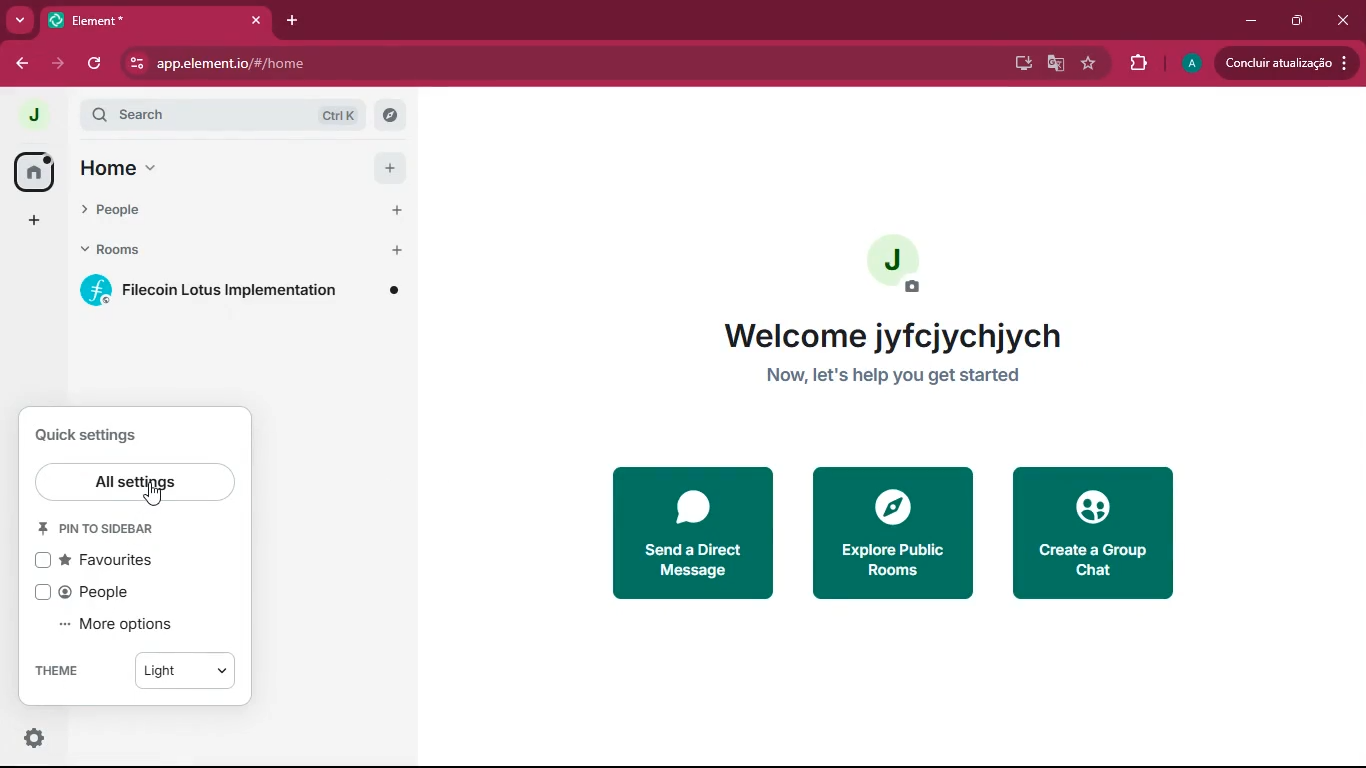 The height and width of the screenshot is (768, 1366). What do you see at coordinates (1254, 21) in the screenshot?
I see `minimize` at bounding box center [1254, 21].